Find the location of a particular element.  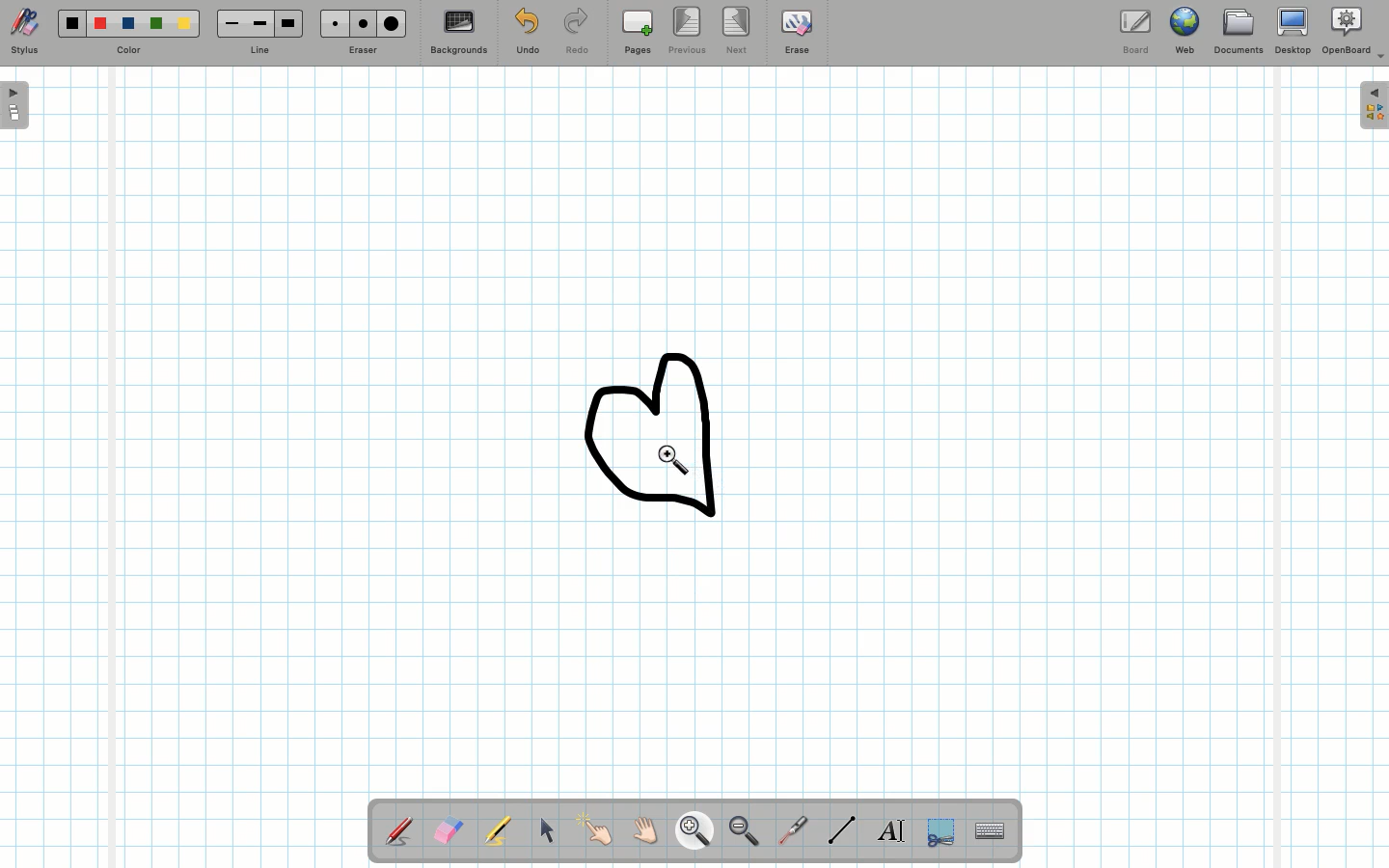

Pages (add) is located at coordinates (635, 32).